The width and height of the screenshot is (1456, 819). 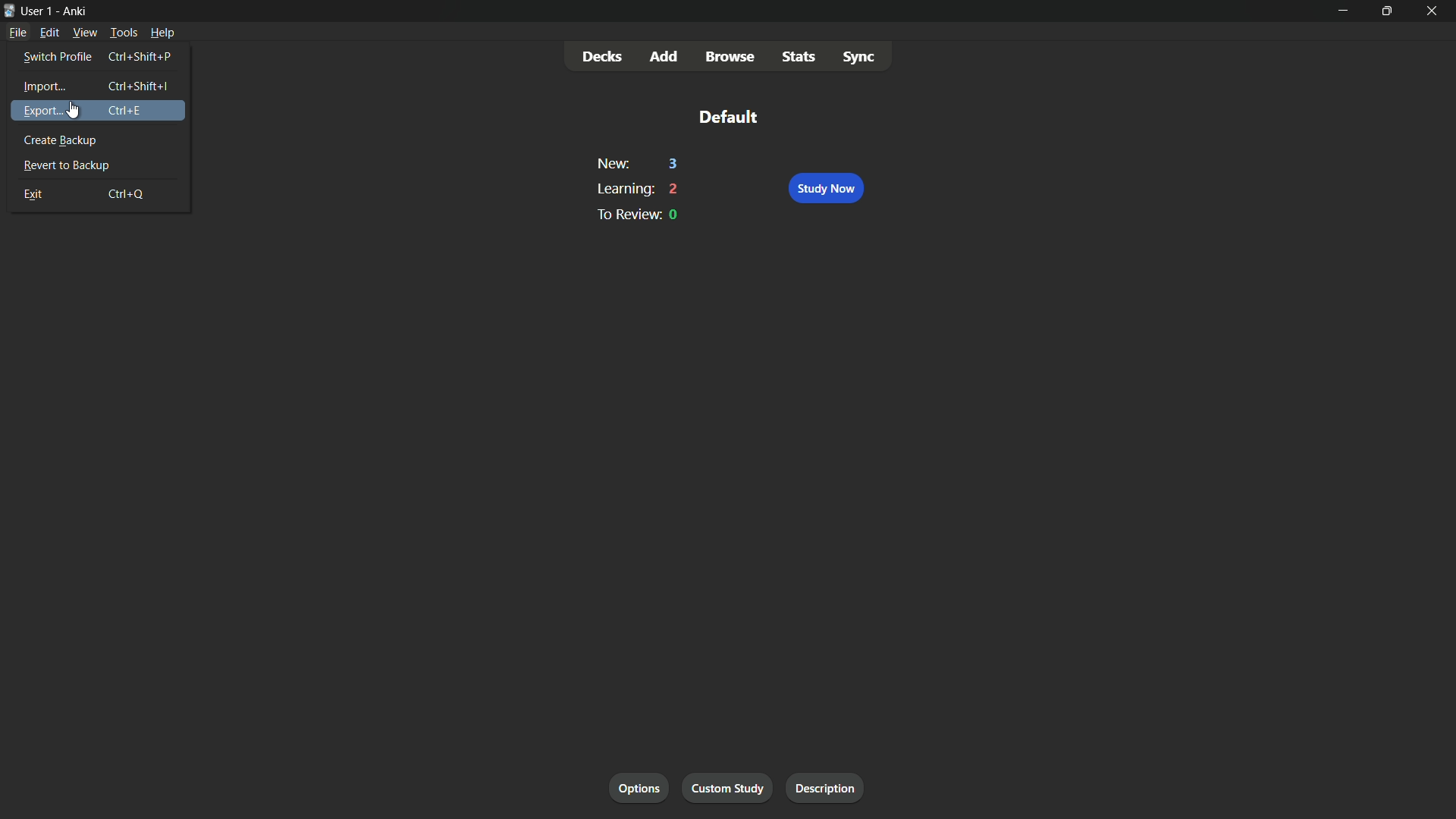 I want to click on default, so click(x=727, y=116).